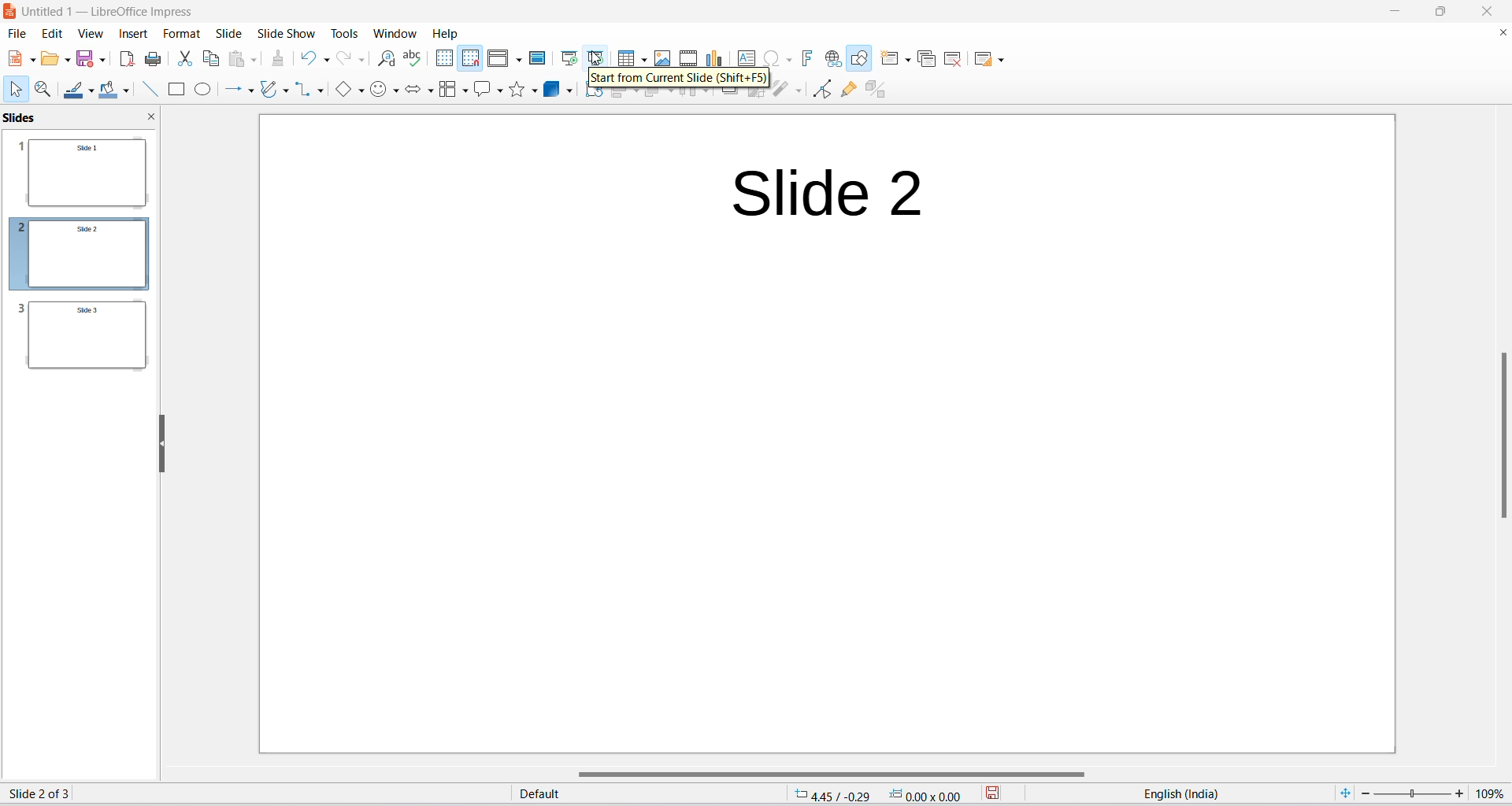  What do you see at coordinates (11, 61) in the screenshot?
I see `new file` at bounding box center [11, 61].